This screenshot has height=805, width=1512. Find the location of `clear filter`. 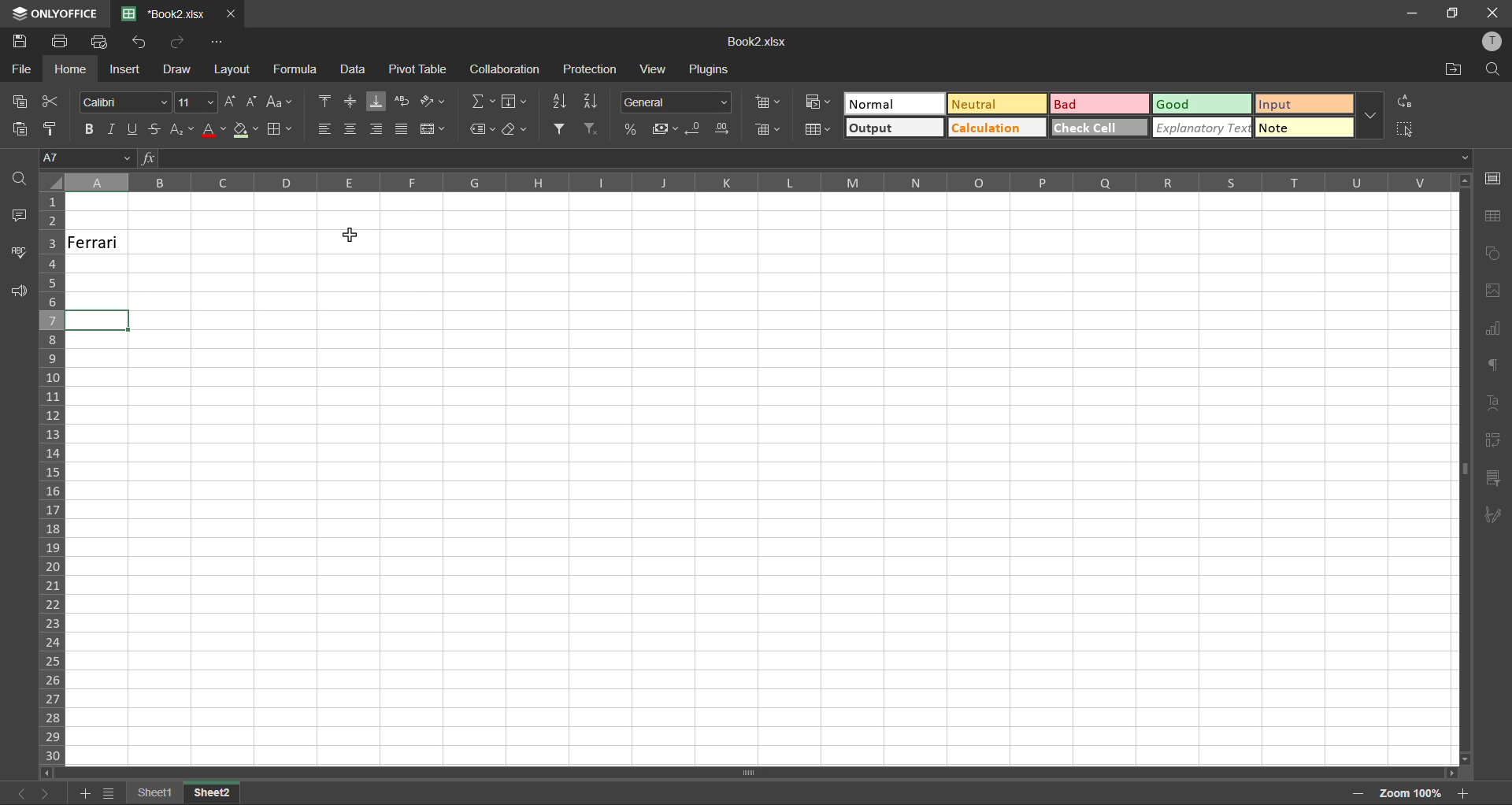

clear filter is located at coordinates (589, 129).